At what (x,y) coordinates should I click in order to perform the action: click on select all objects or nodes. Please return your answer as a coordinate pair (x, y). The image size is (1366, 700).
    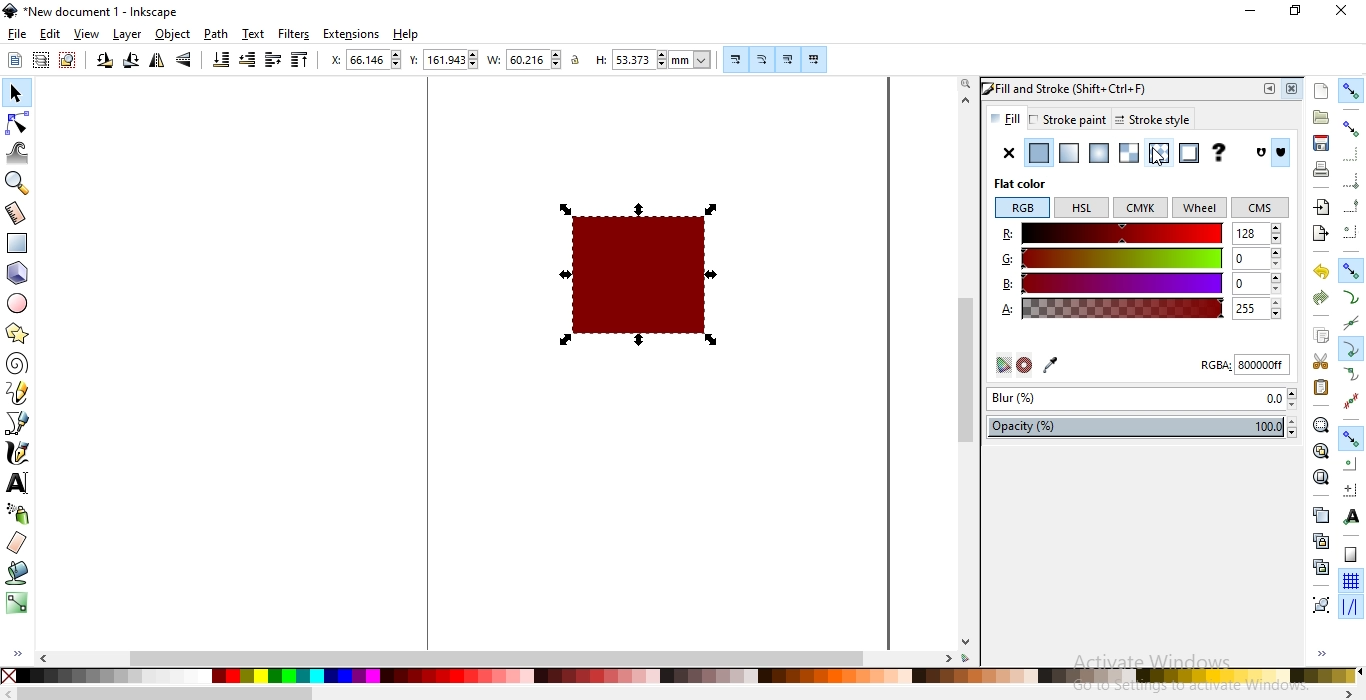
    Looking at the image, I should click on (14, 60).